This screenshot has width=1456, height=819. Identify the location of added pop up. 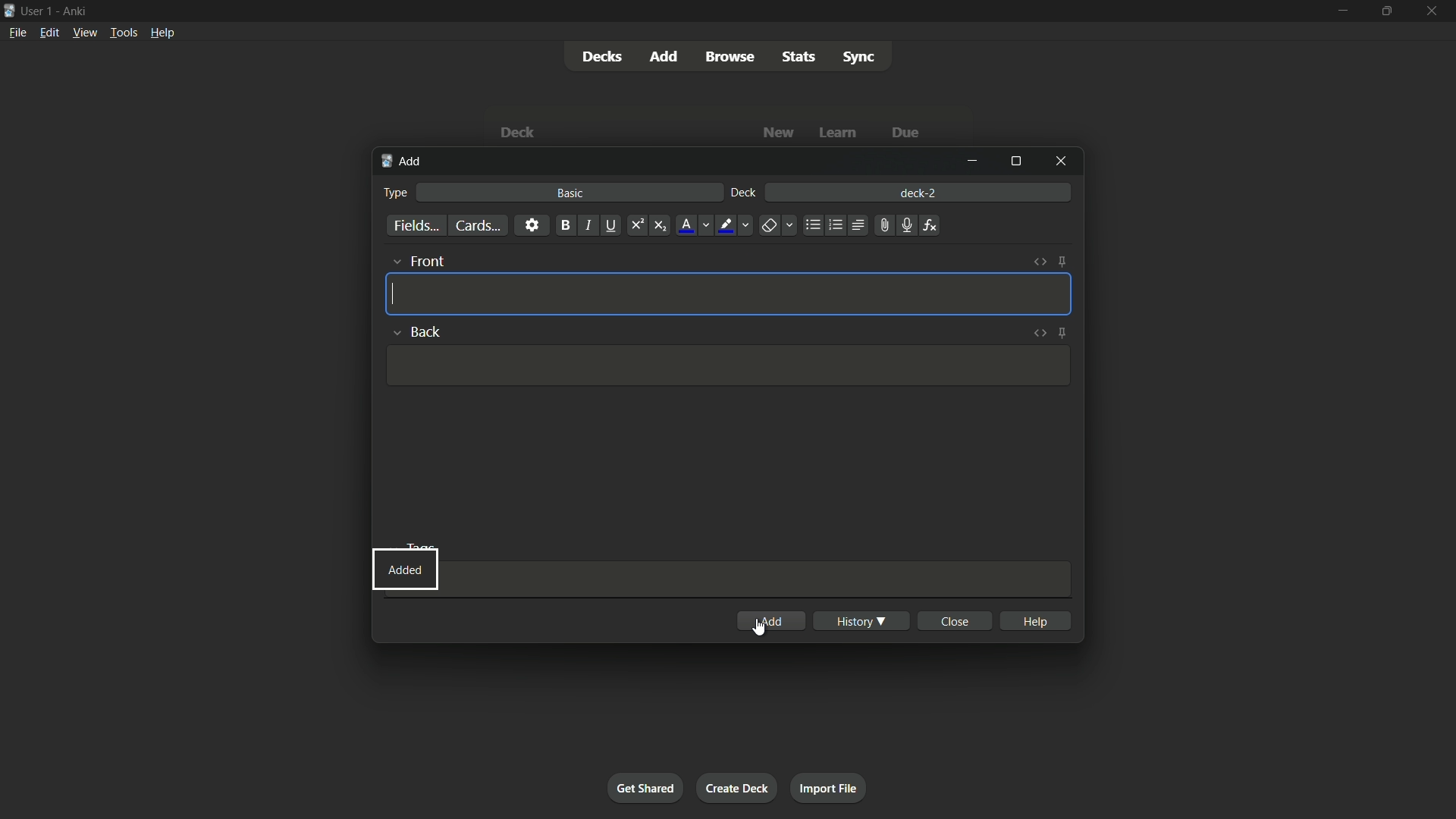
(404, 569).